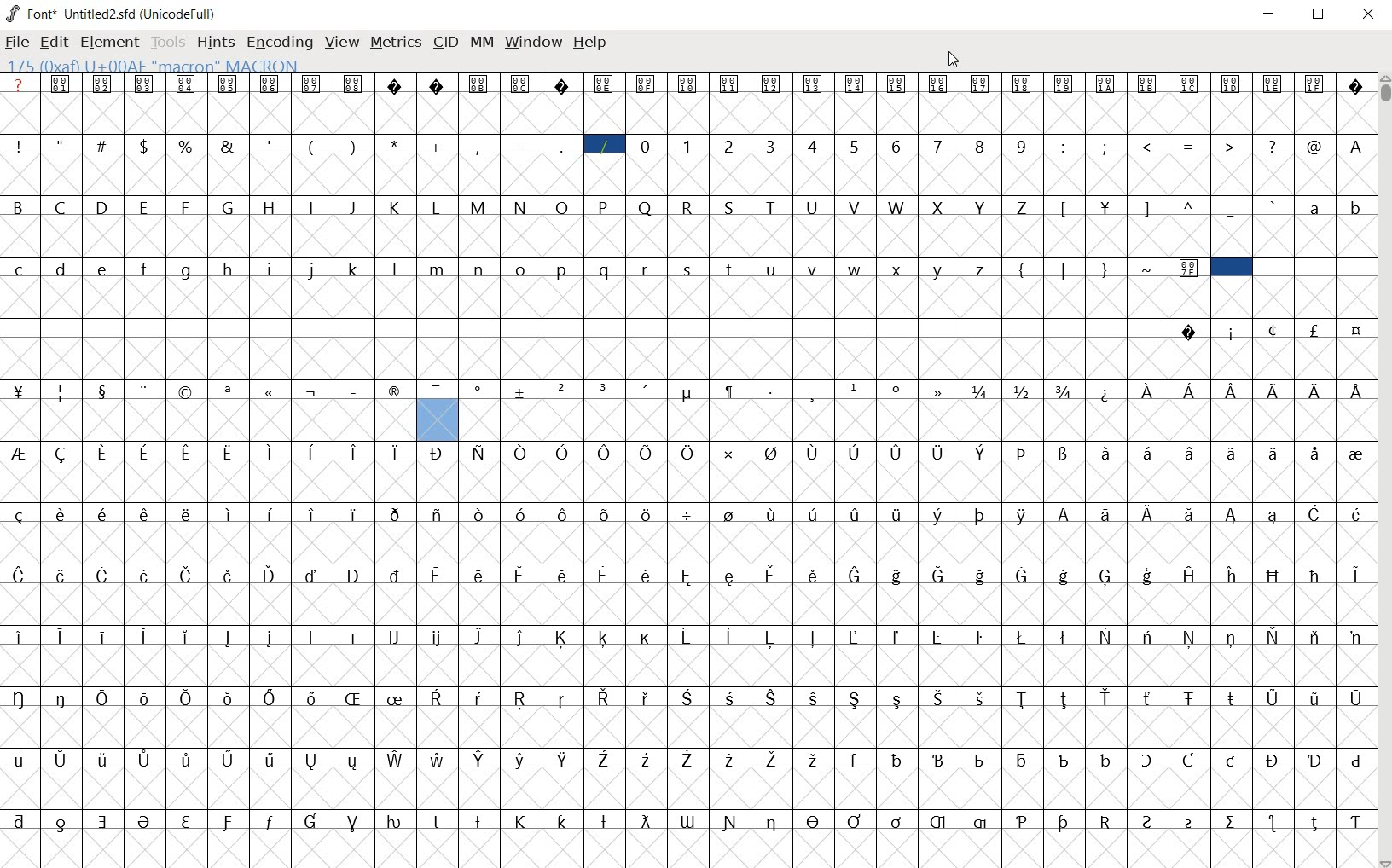 Image resolution: width=1392 pixels, height=868 pixels. Describe the element at coordinates (942, 757) in the screenshot. I see `Symbol` at that location.